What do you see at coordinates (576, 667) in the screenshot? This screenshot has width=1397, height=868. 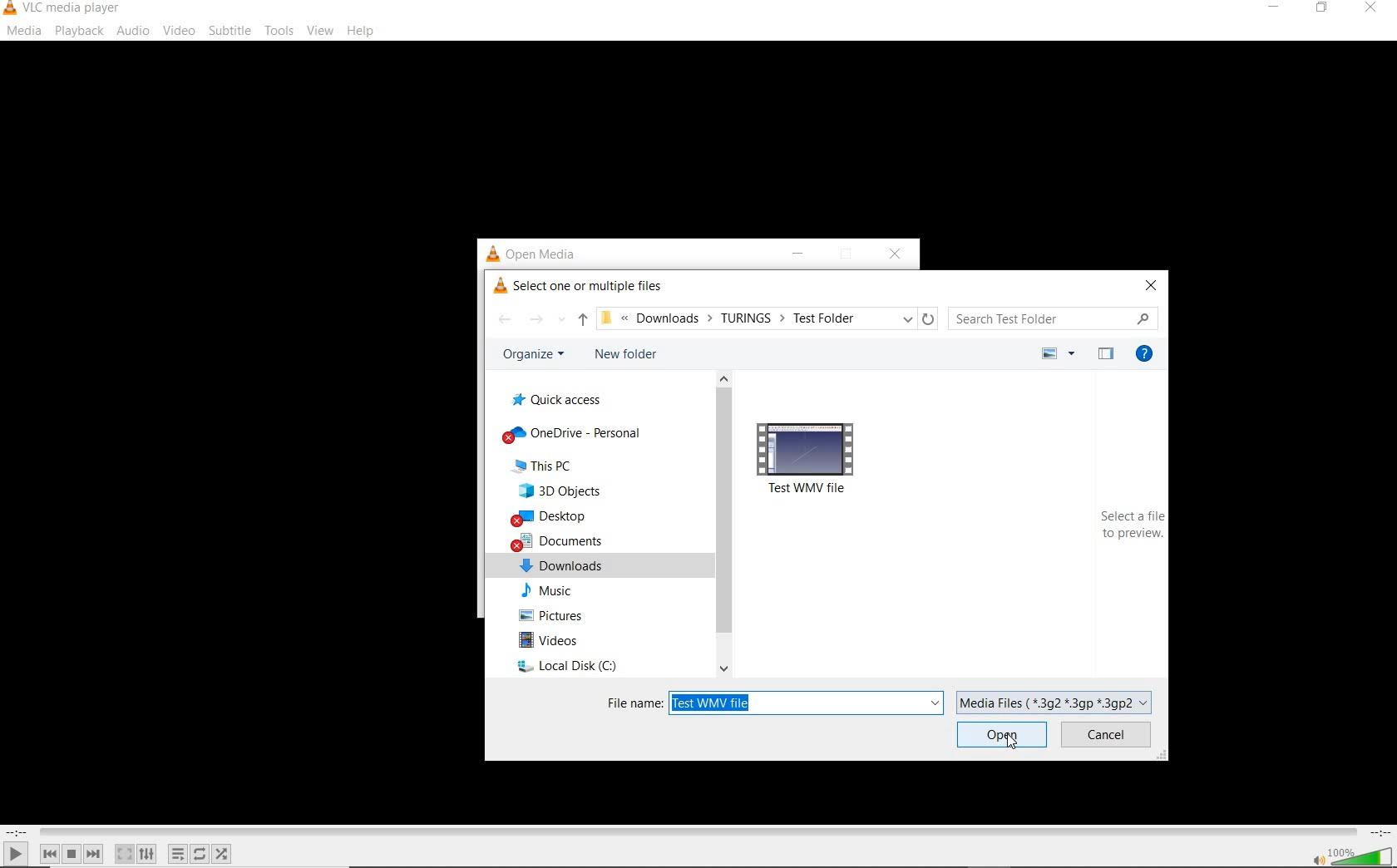 I see `local disk c` at bounding box center [576, 667].